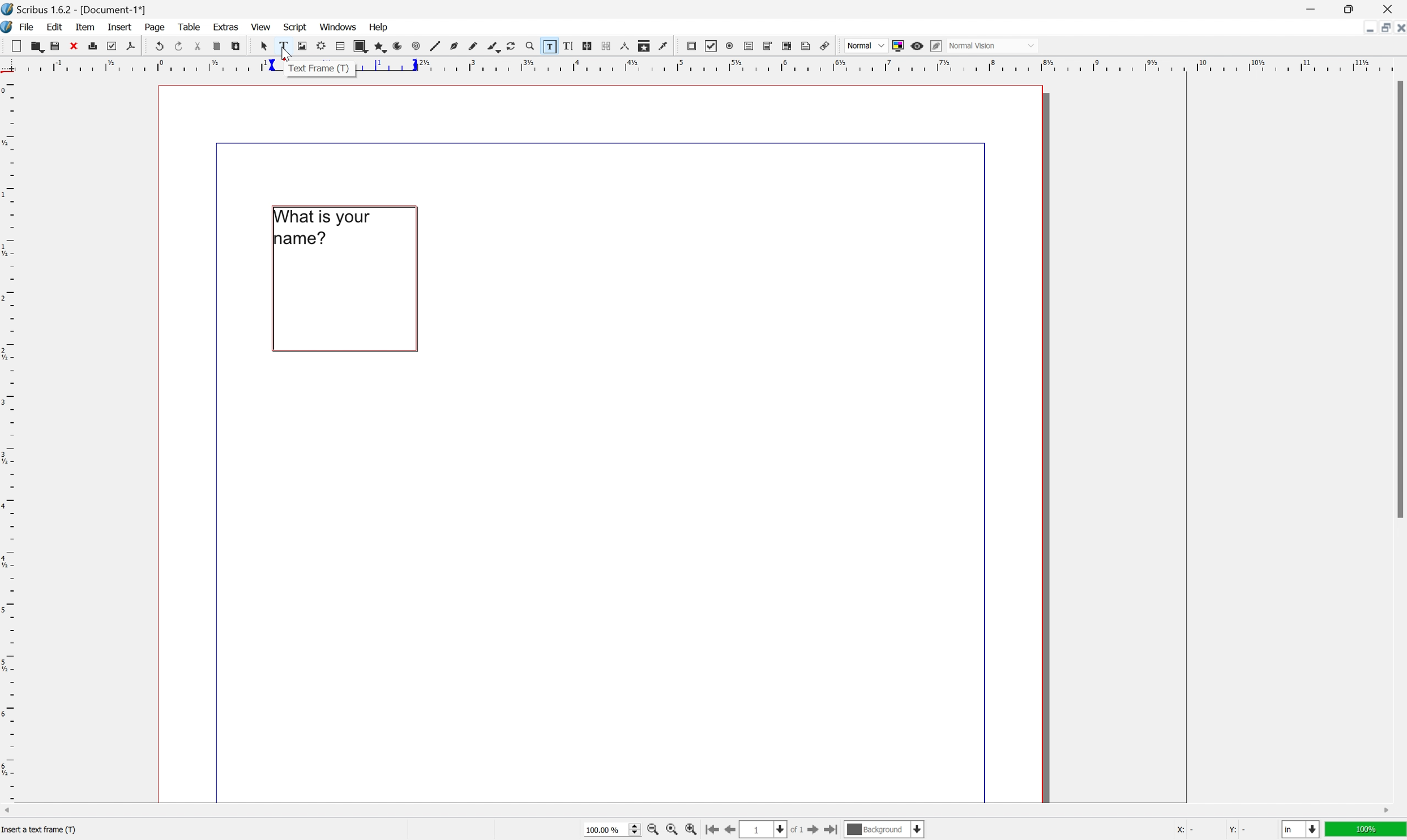 The width and height of the screenshot is (1407, 840). What do you see at coordinates (1310, 8) in the screenshot?
I see `minimize` at bounding box center [1310, 8].